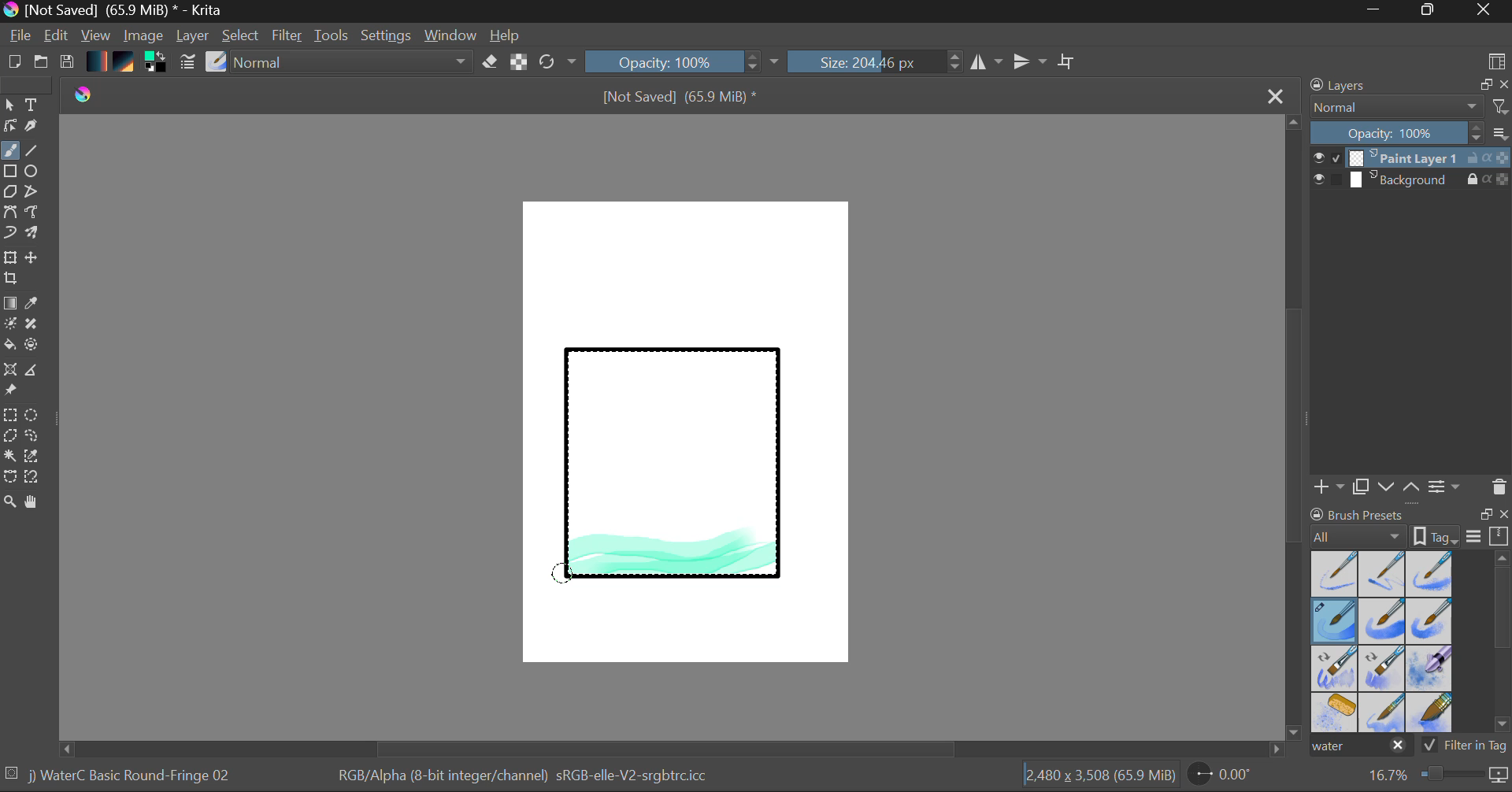  I want to click on Move Layer, so click(33, 257).